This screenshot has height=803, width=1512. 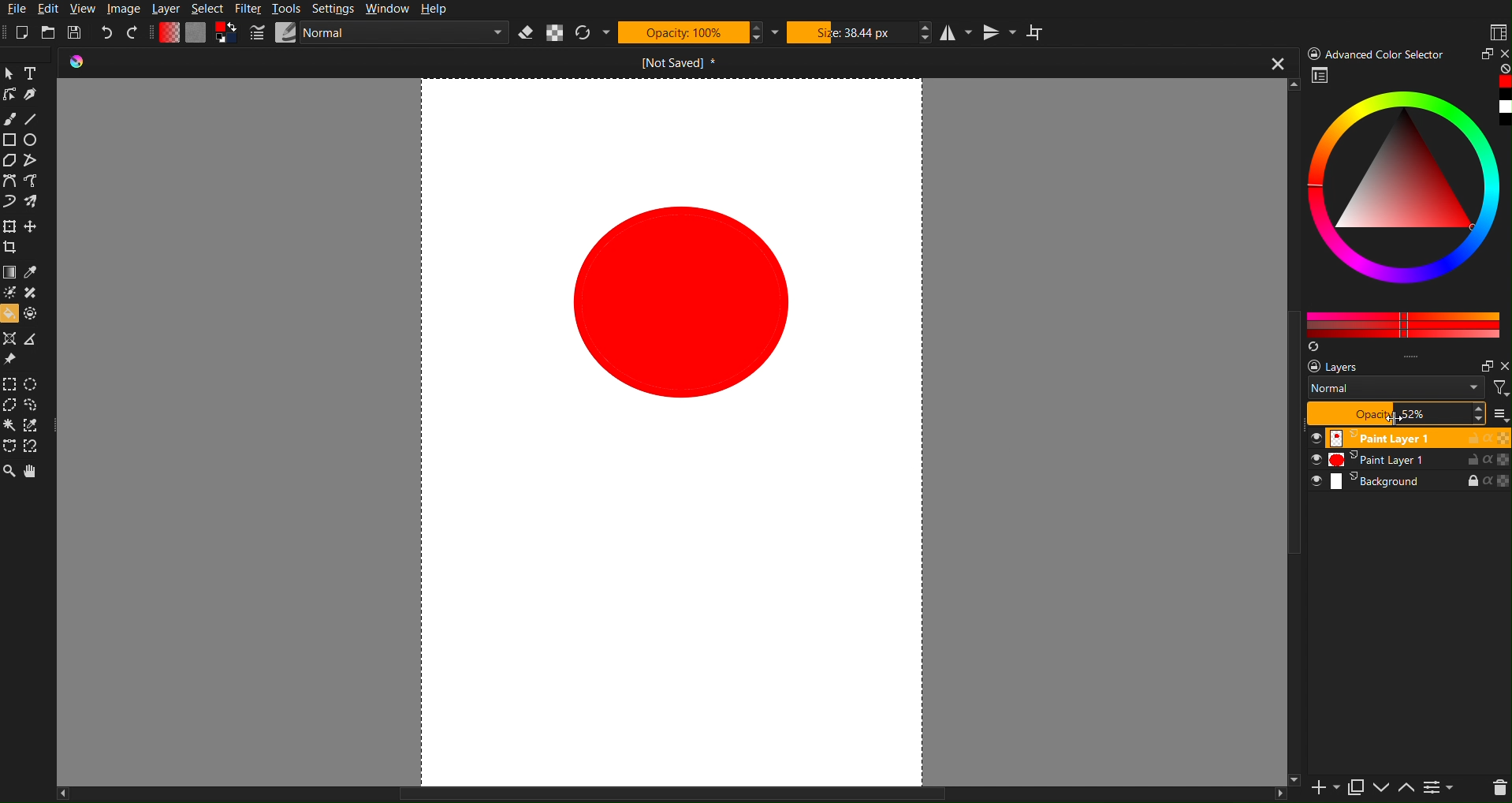 I want to click on Settings, so click(x=333, y=9).